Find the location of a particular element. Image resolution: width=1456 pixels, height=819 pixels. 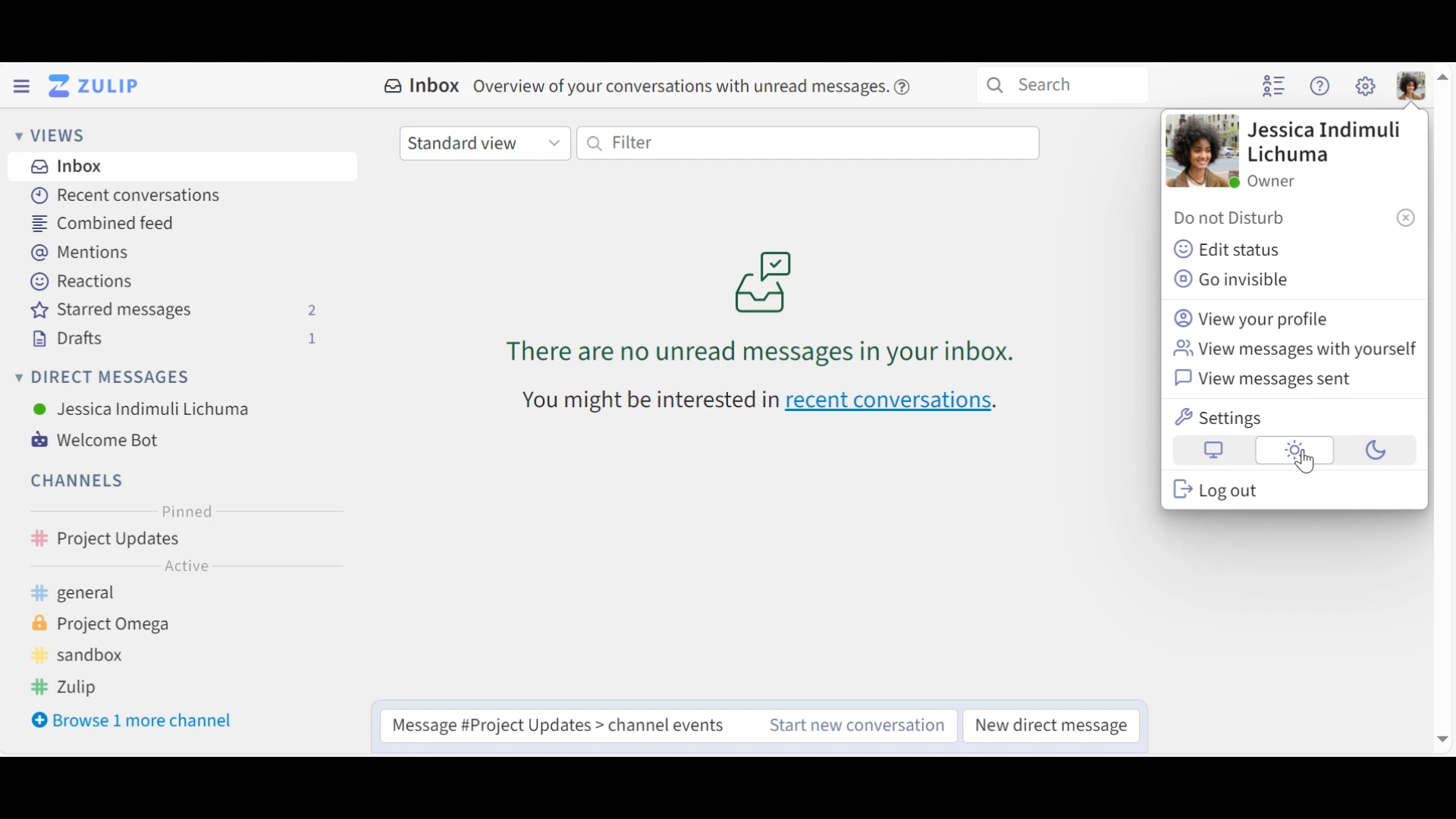

Jessica Indimuli Lichuma is located at coordinates (143, 409).